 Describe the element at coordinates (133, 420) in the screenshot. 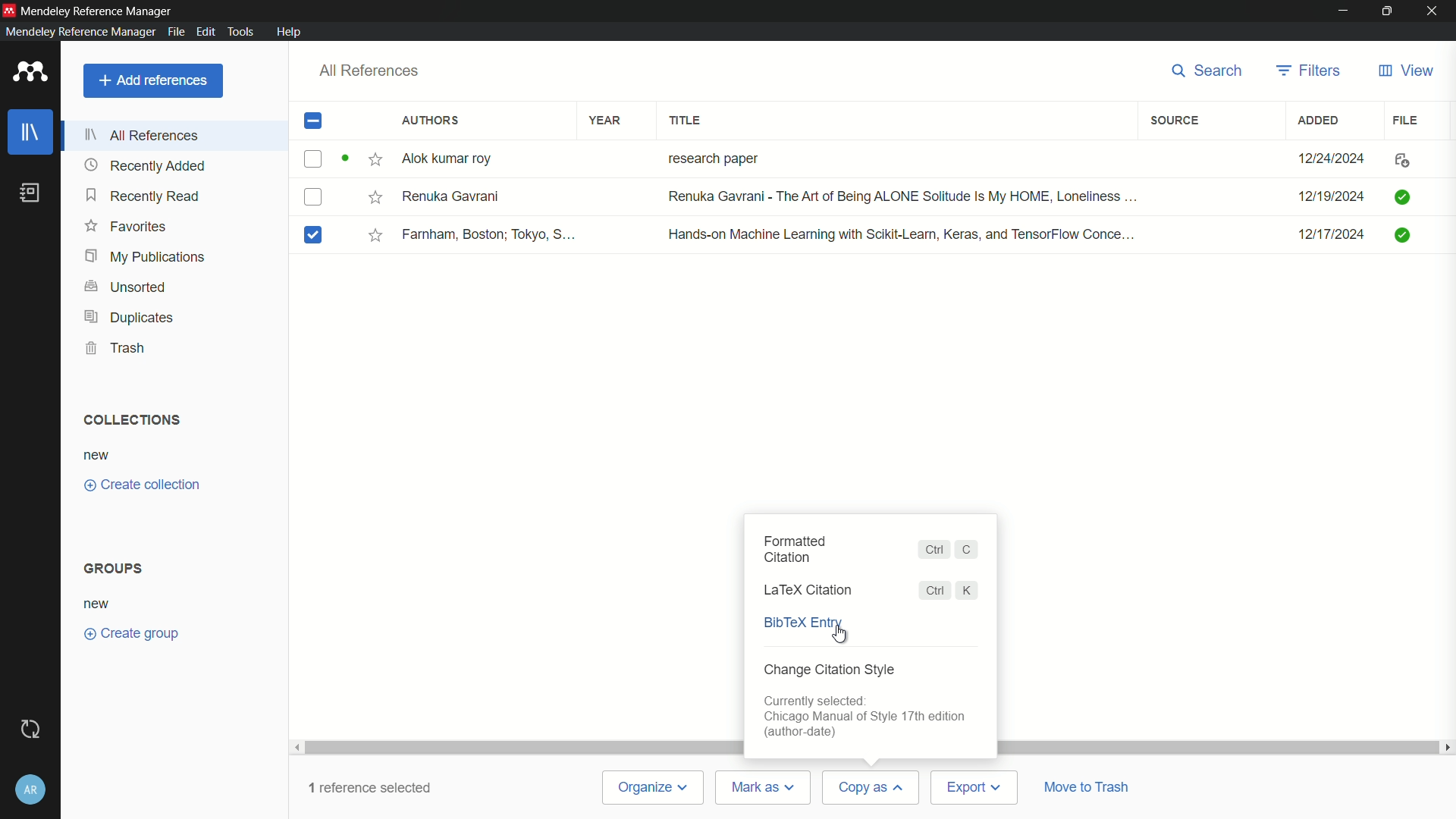

I see `collections` at that location.